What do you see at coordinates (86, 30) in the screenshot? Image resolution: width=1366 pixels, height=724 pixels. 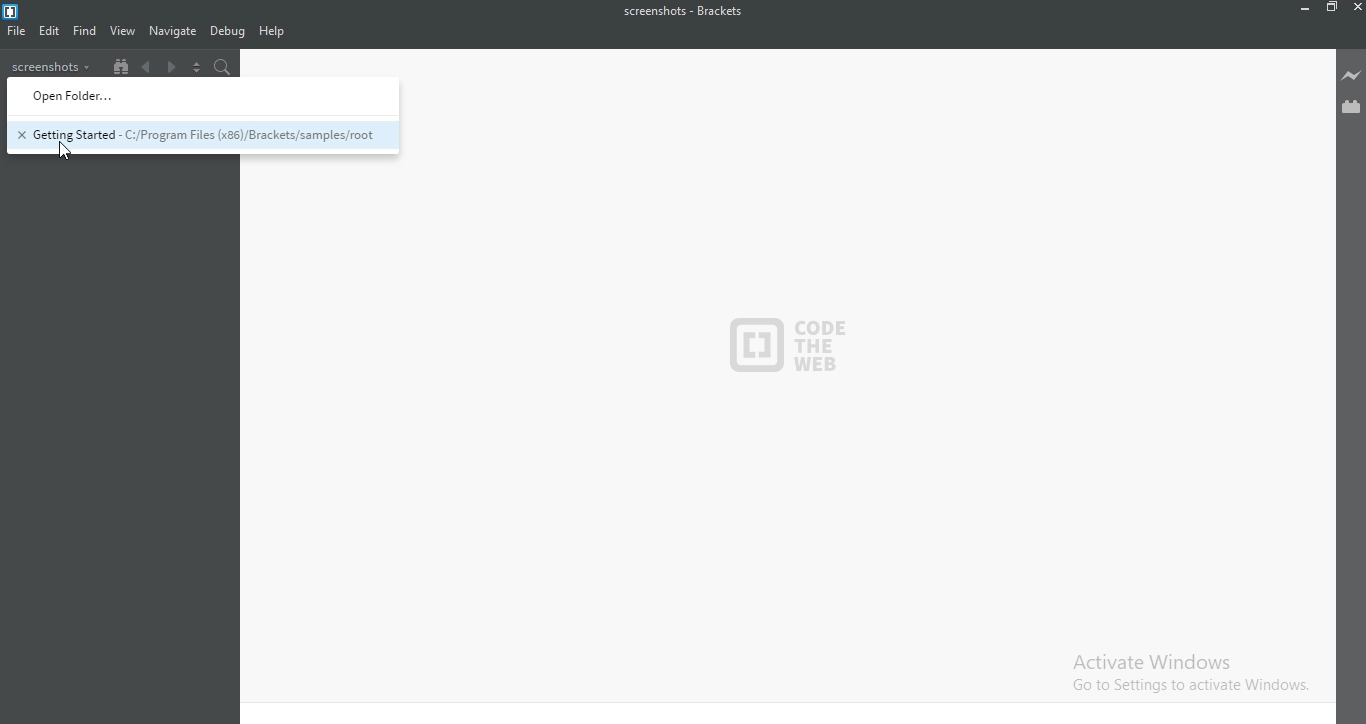 I see `find` at bounding box center [86, 30].